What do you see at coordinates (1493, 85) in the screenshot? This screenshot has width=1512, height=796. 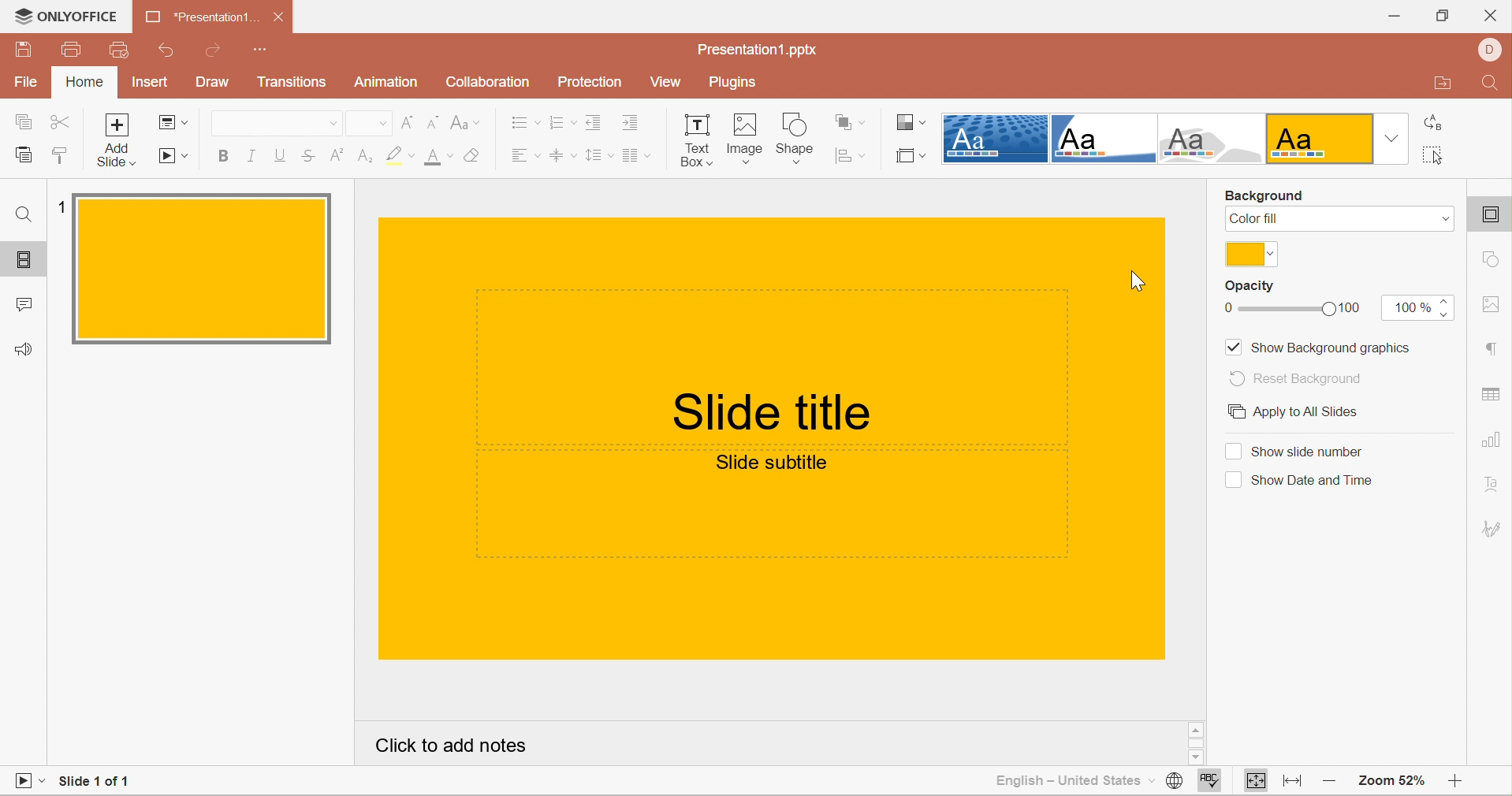 I see `Find` at bounding box center [1493, 85].